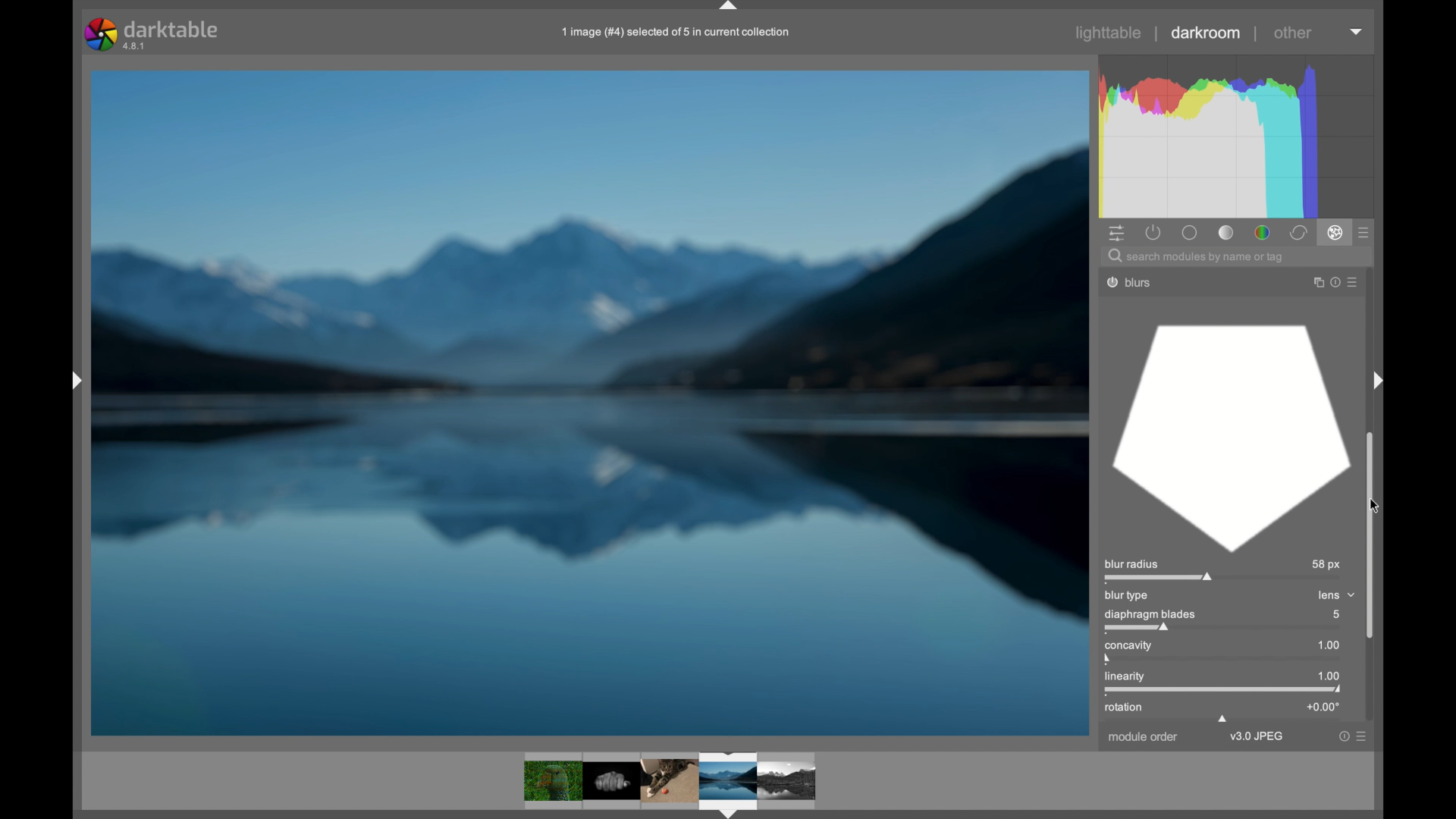 Image resolution: width=1456 pixels, height=819 pixels. Describe the element at coordinates (1153, 232) in the screenshot. I see `show active modules only` at that location.